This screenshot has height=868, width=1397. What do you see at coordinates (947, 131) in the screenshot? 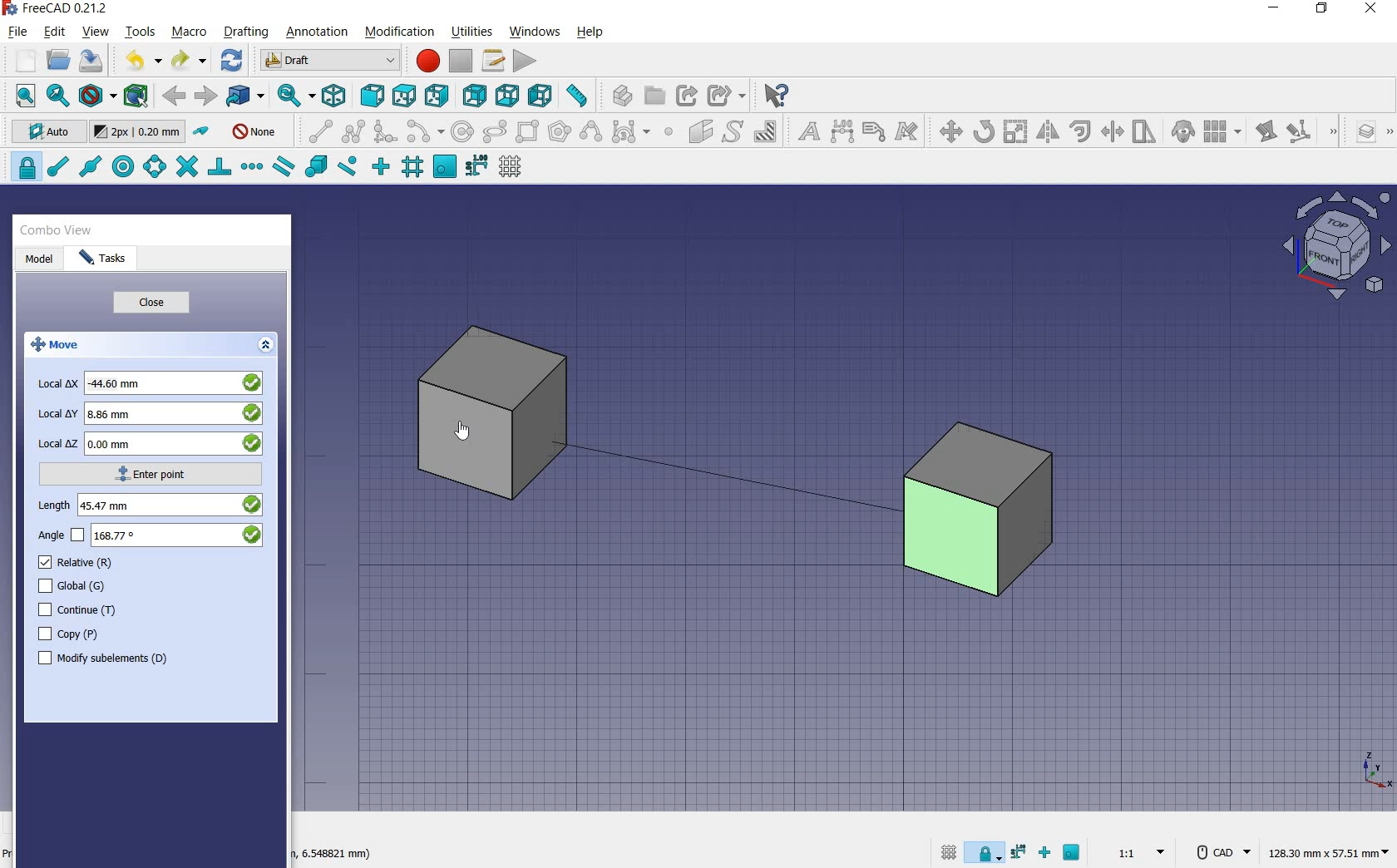
I see `move` at bounding box center [947, 131].